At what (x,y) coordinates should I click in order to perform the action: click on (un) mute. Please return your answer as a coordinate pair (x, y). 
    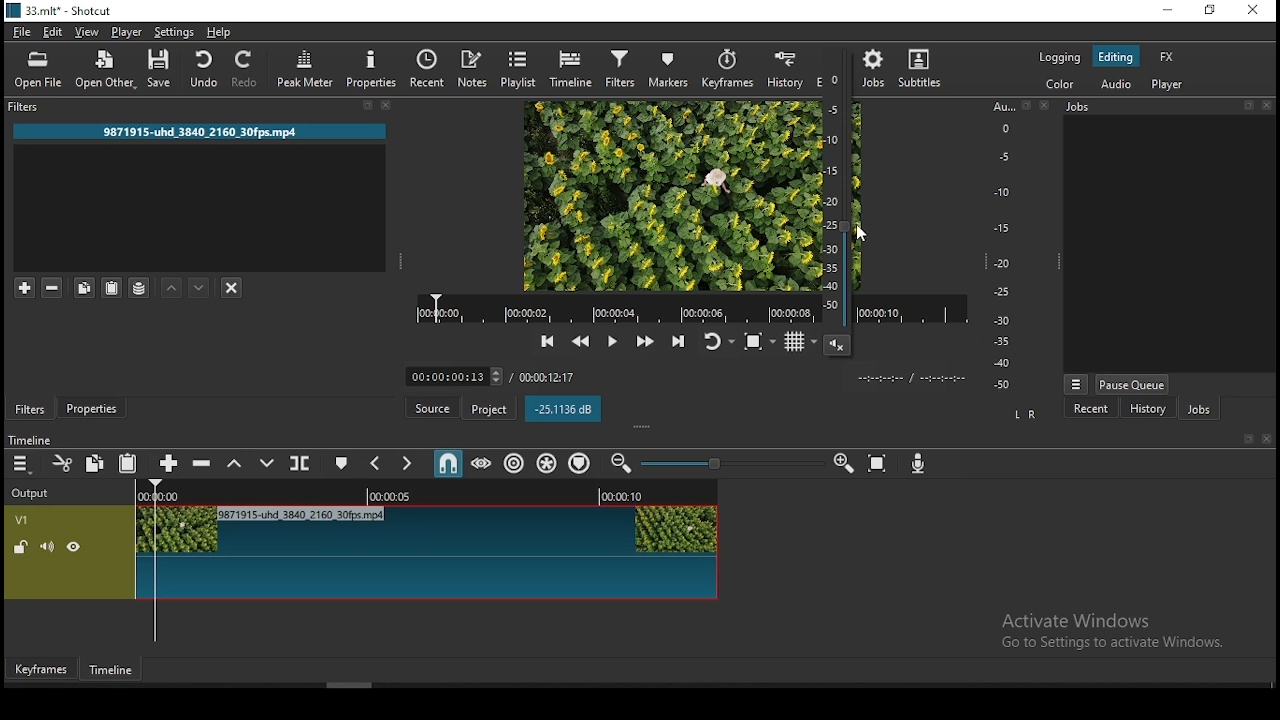
    Looking at the image, I should click on (48, 547).